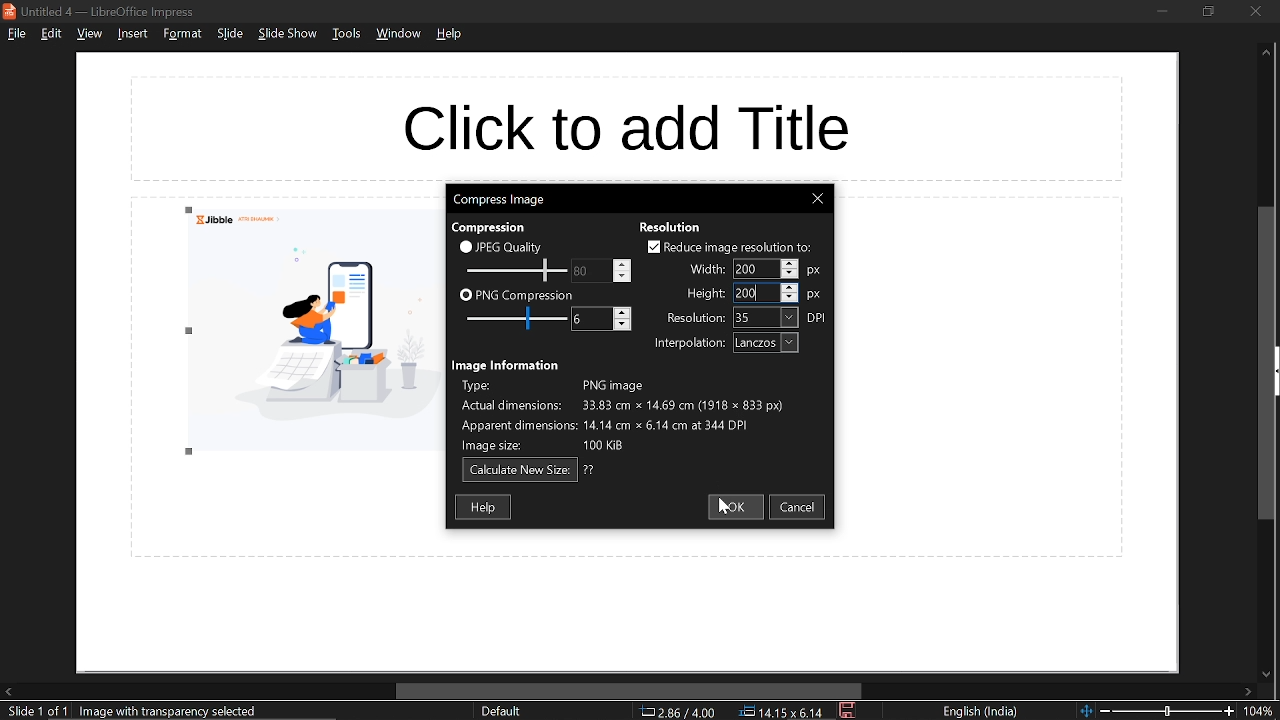 The width and height of the screenshot is (1280, 720). I want to click on height, so click(752, 293).